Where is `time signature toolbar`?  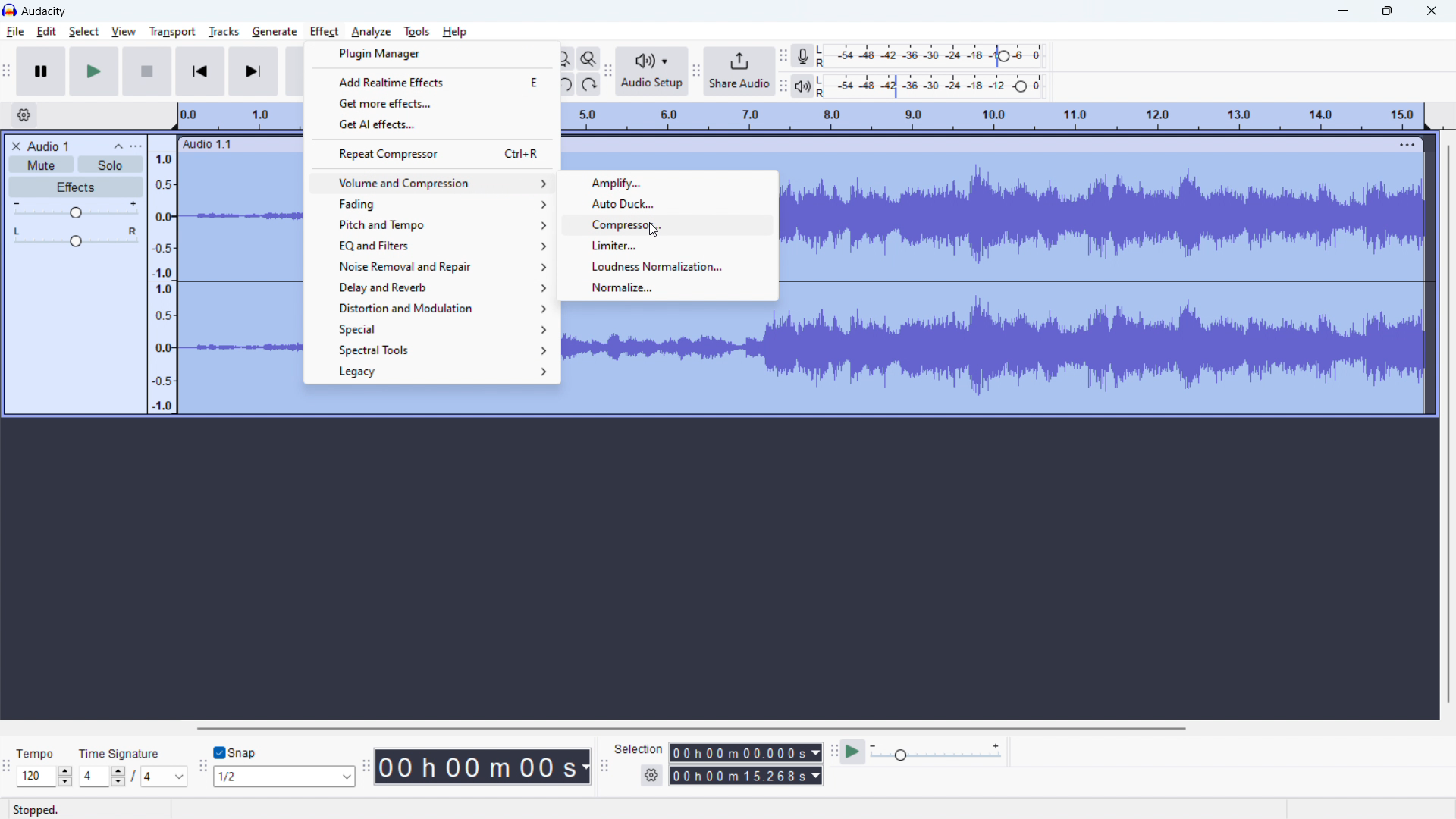 time signature toolbar is located at coordinates (8, 769).